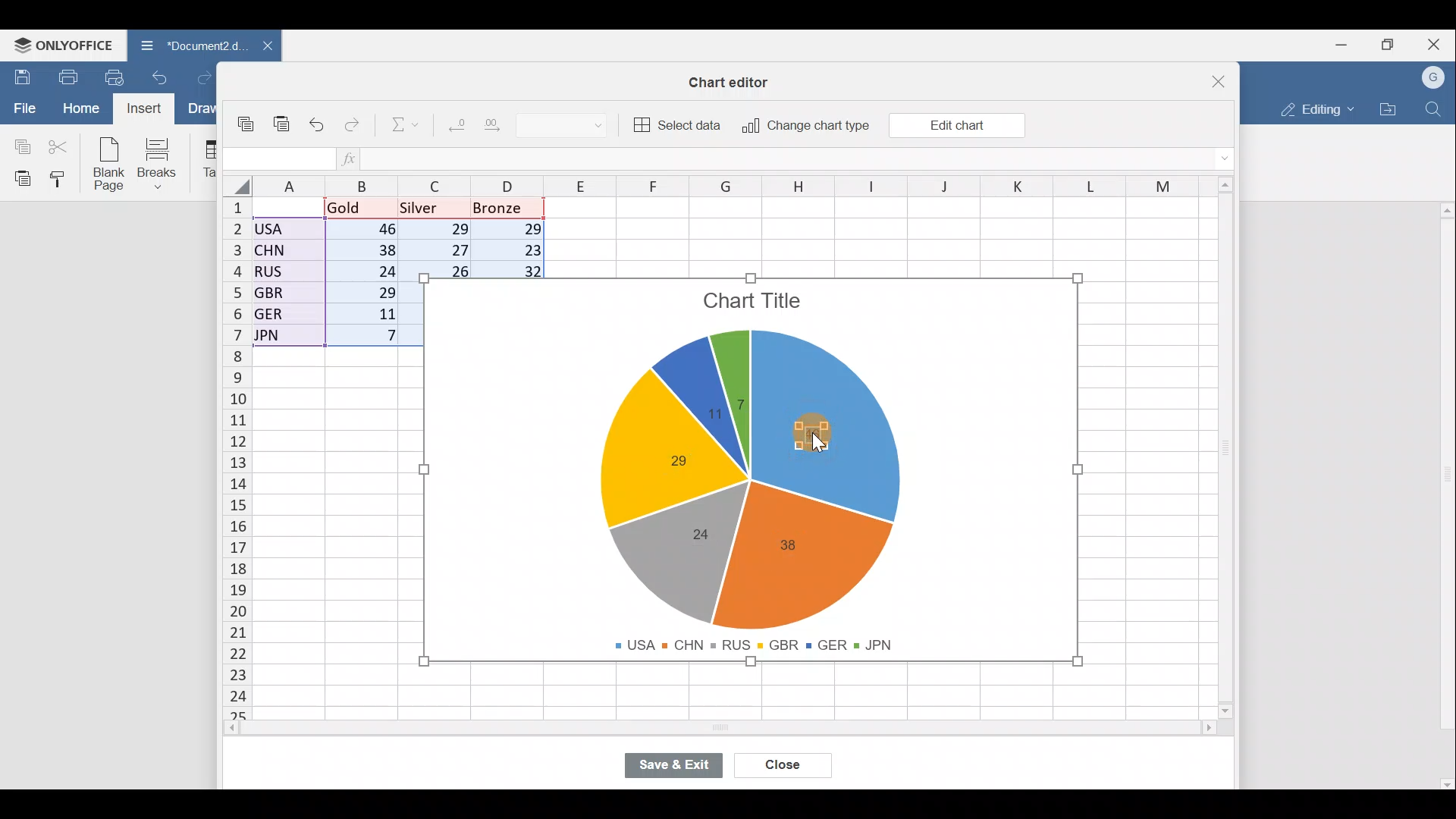 The width and height of the screenshot is (1456, 819). What do you see at coordinates (119, 74) in the screenshot?
I see `Quick print` at bounding box center [119, 74].